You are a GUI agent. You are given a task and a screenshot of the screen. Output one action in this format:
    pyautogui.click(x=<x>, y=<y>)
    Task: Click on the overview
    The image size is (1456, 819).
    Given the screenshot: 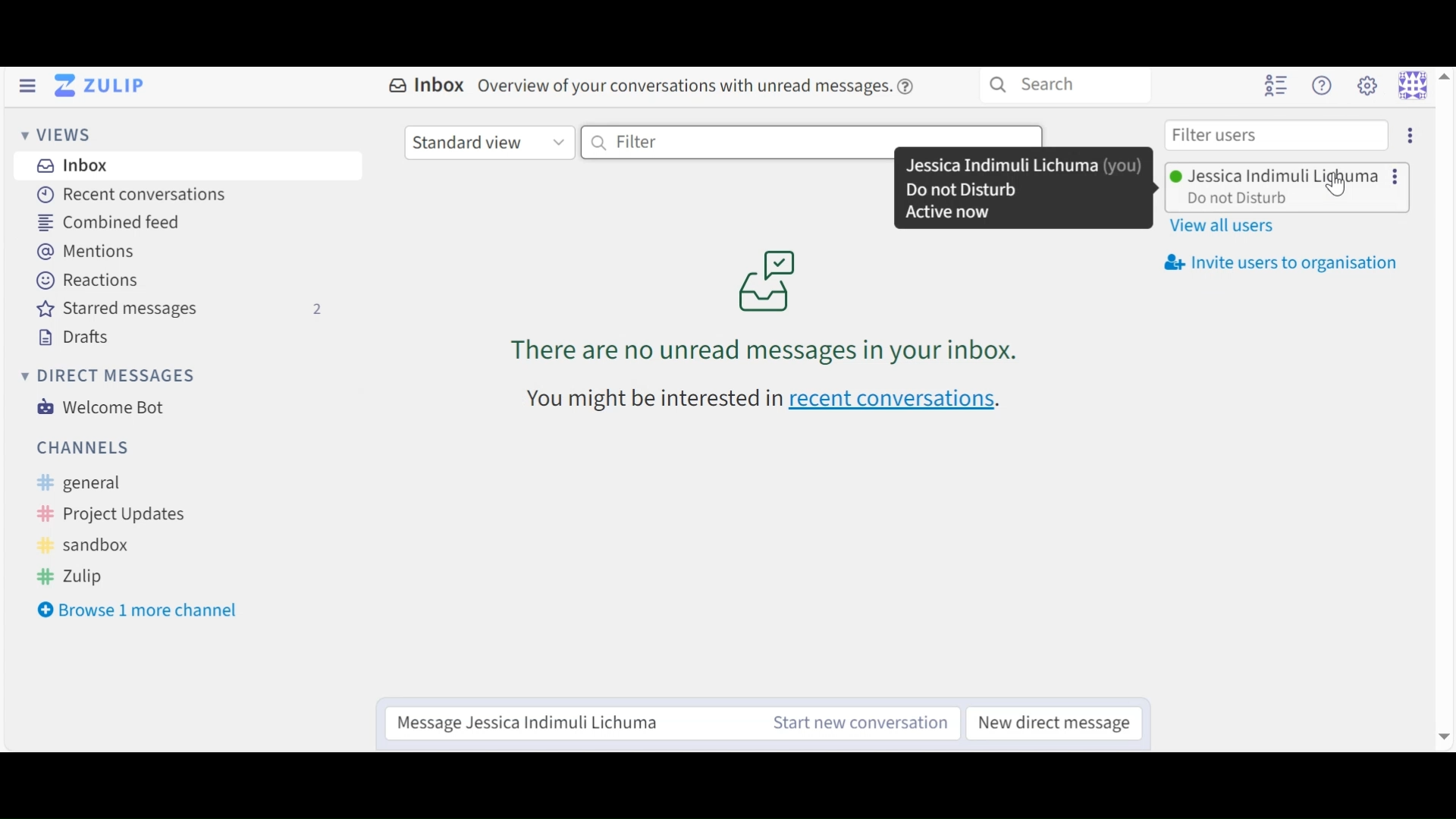 What is the action you would take?
    pyautogui.click(x=705, y=89)
    